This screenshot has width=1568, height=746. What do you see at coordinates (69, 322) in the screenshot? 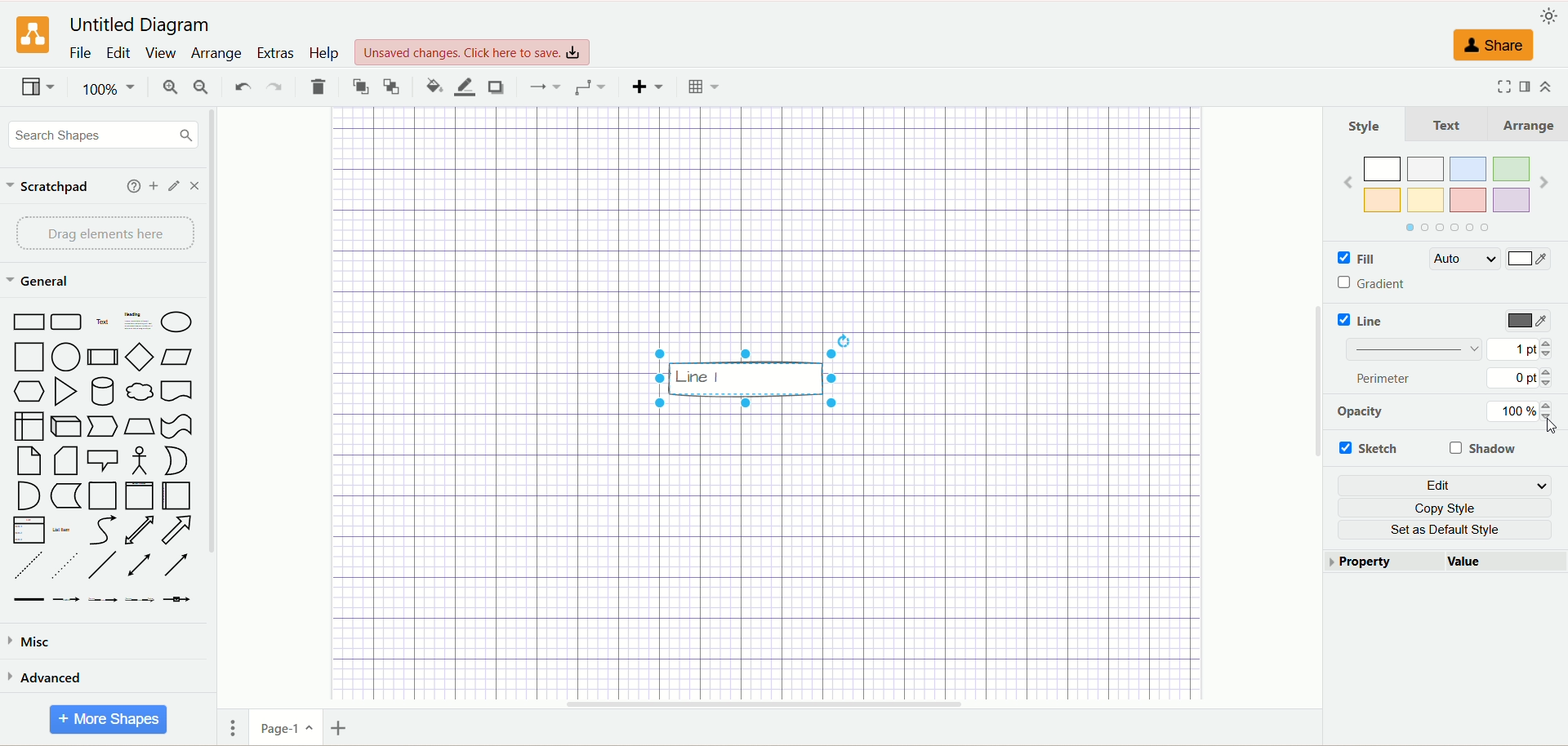
I see `Rounded Rectangle` at bounding box center [69, 322].